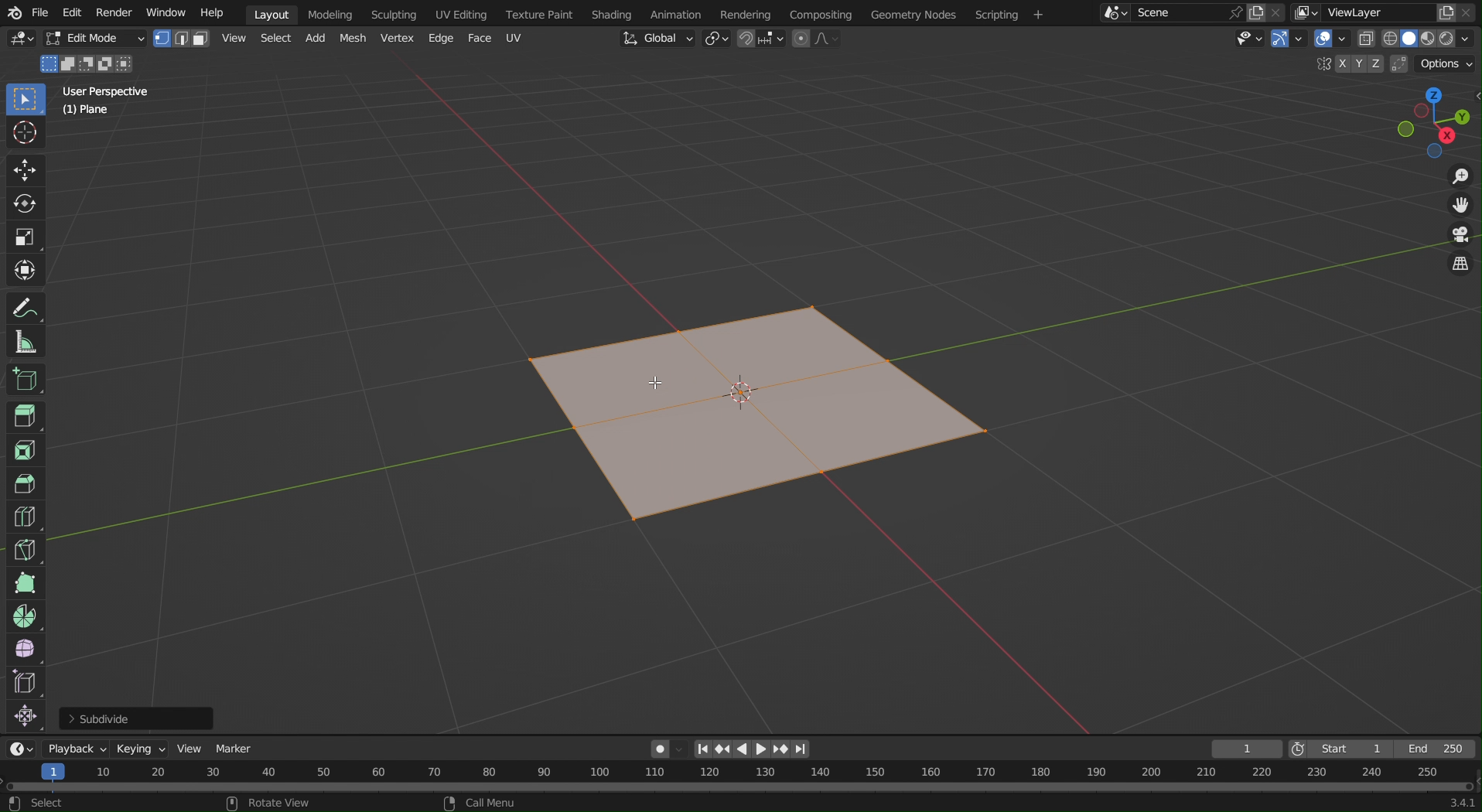 The width and height of the screenshot is (1482, 812). Describe the element at coordinates (752, 13) in the screenshot. I see `Rendering` at that location.